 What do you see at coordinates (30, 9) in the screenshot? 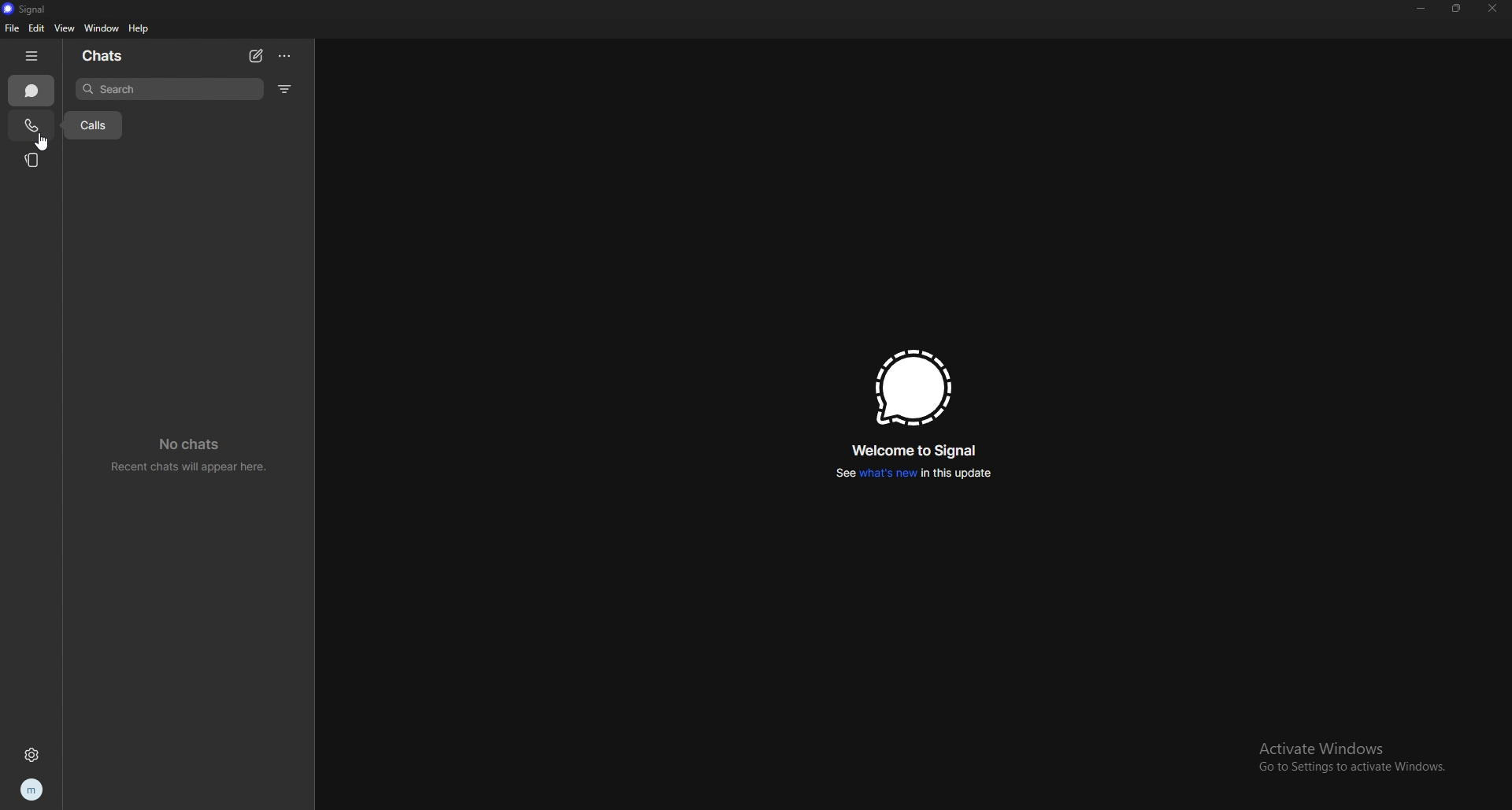
I see `signal` at bounding box center [30, 9].